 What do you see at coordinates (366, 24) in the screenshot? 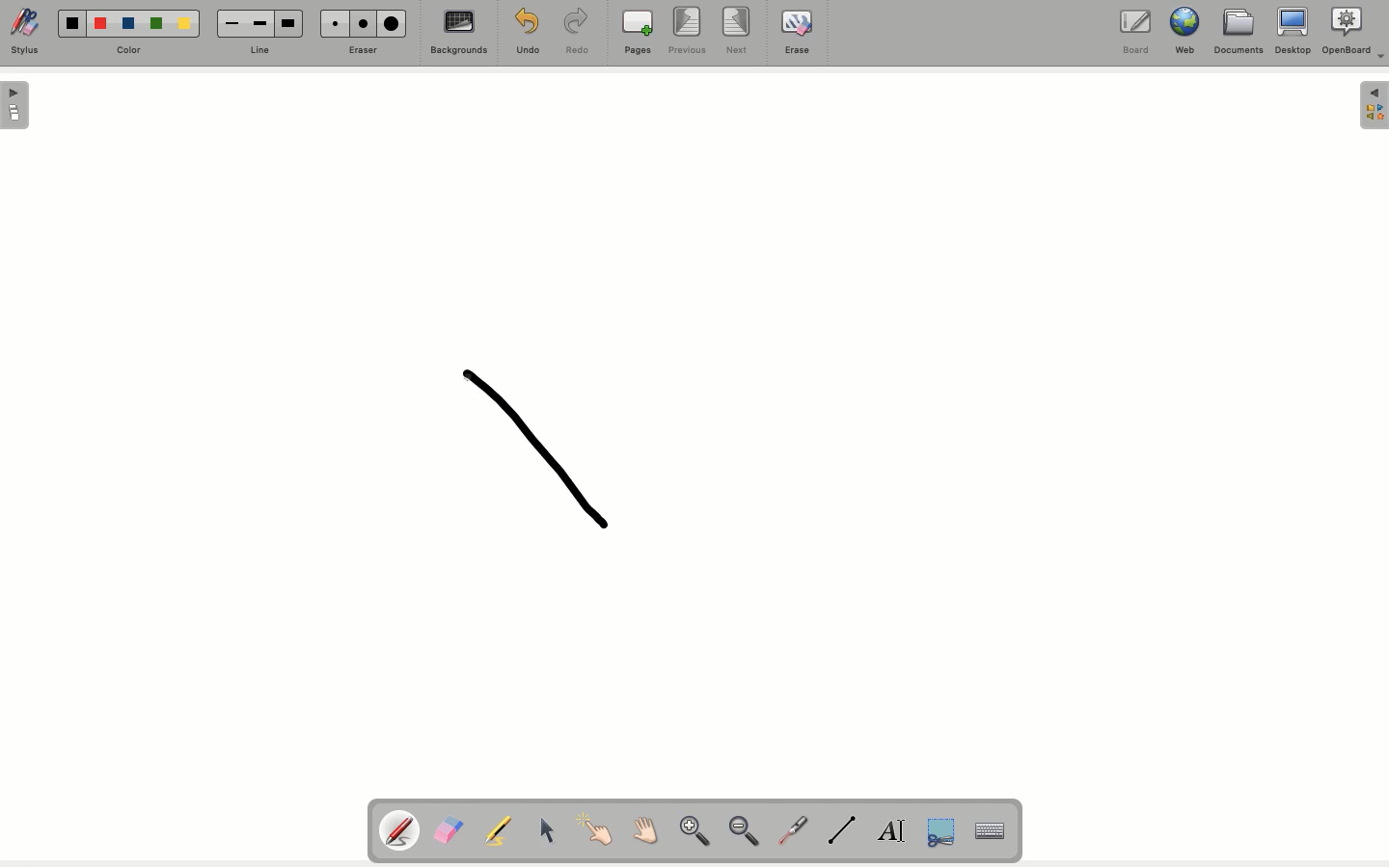
I see `Medium` at bounding box center [366, 24].